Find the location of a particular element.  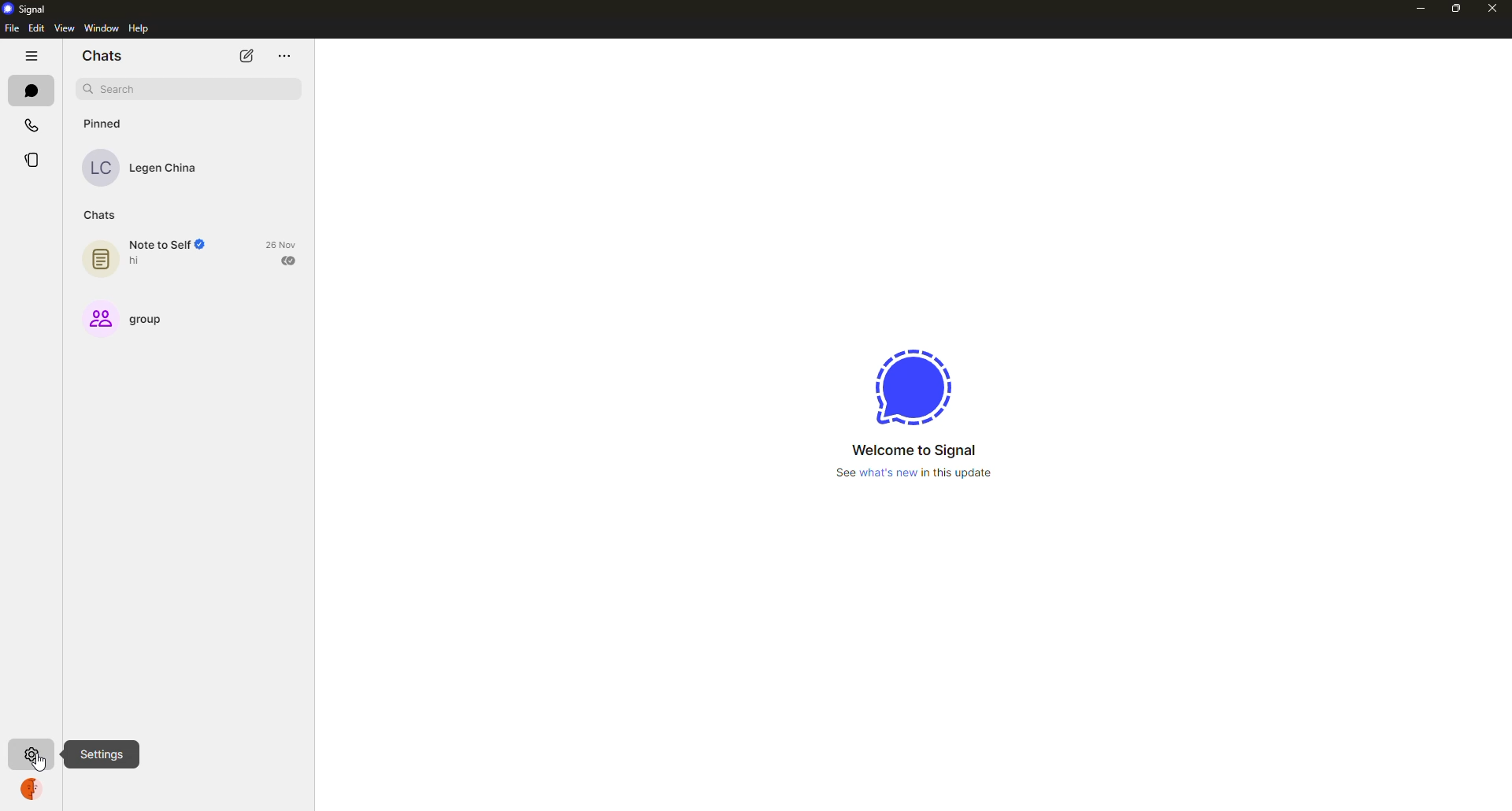

chats is located at coordinates (106, 57).